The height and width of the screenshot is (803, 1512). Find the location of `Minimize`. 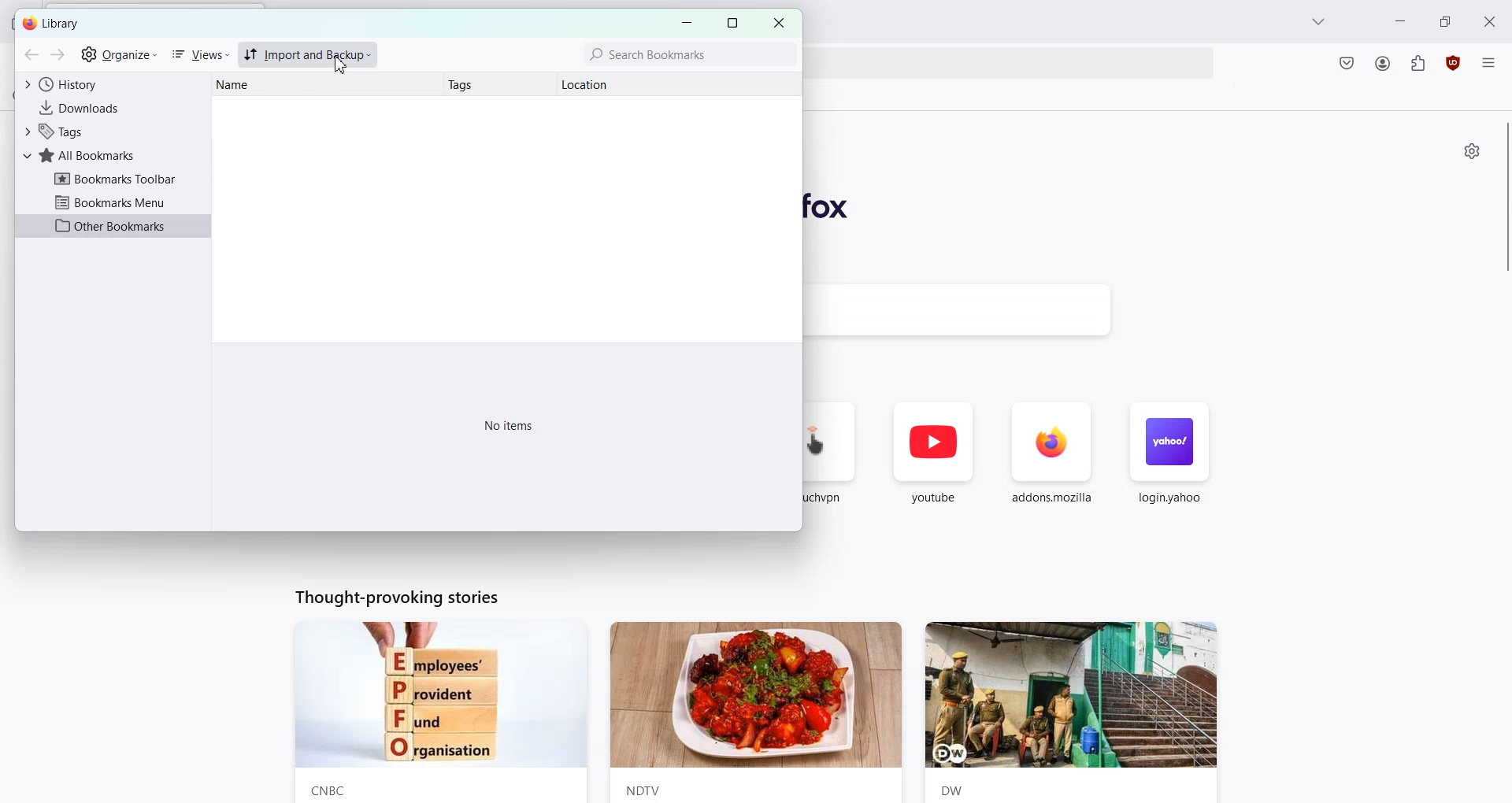

Minimize is located at coordinates (686, 23).